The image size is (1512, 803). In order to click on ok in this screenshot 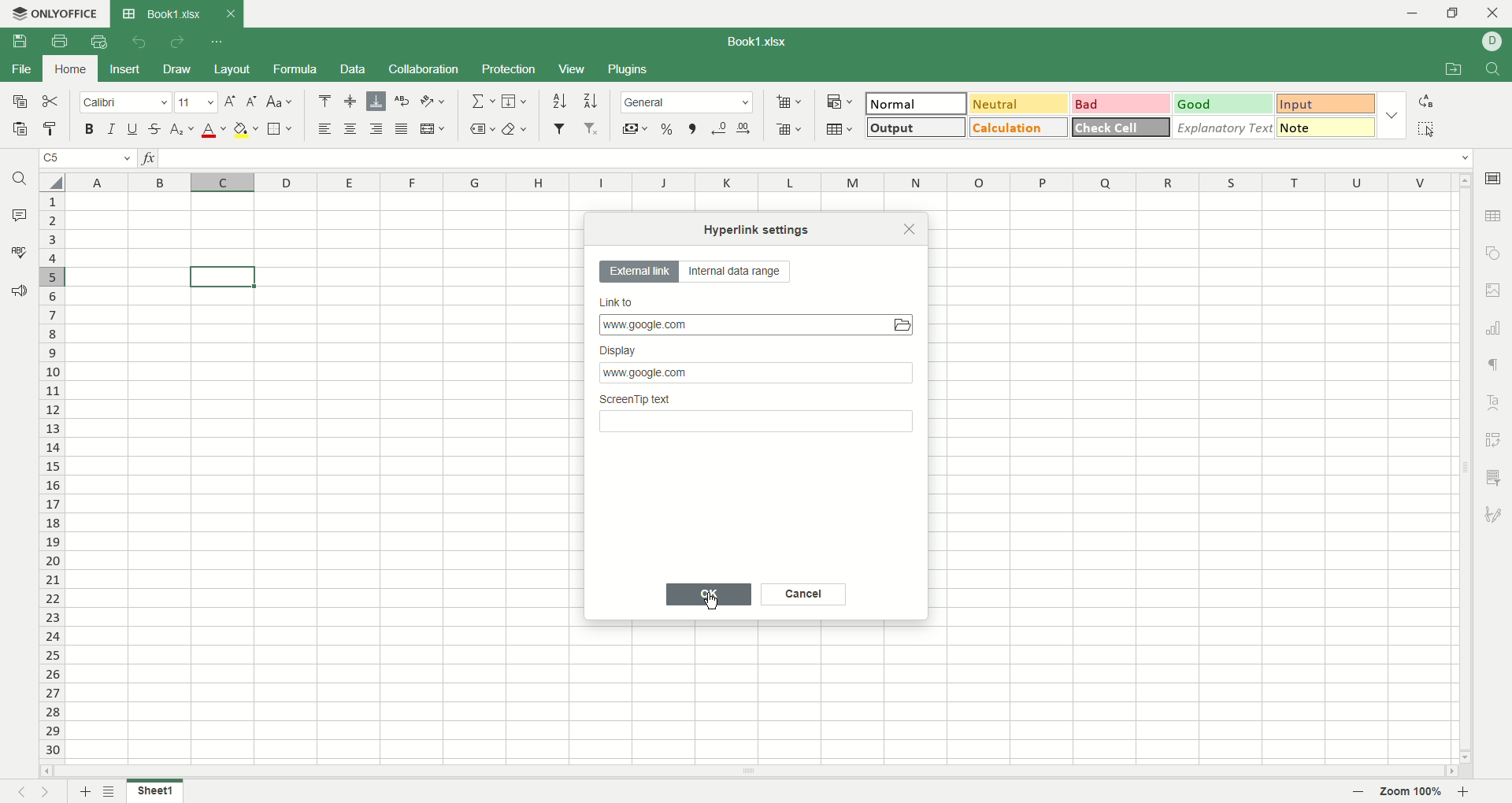, I will do `click(711, 594)`.